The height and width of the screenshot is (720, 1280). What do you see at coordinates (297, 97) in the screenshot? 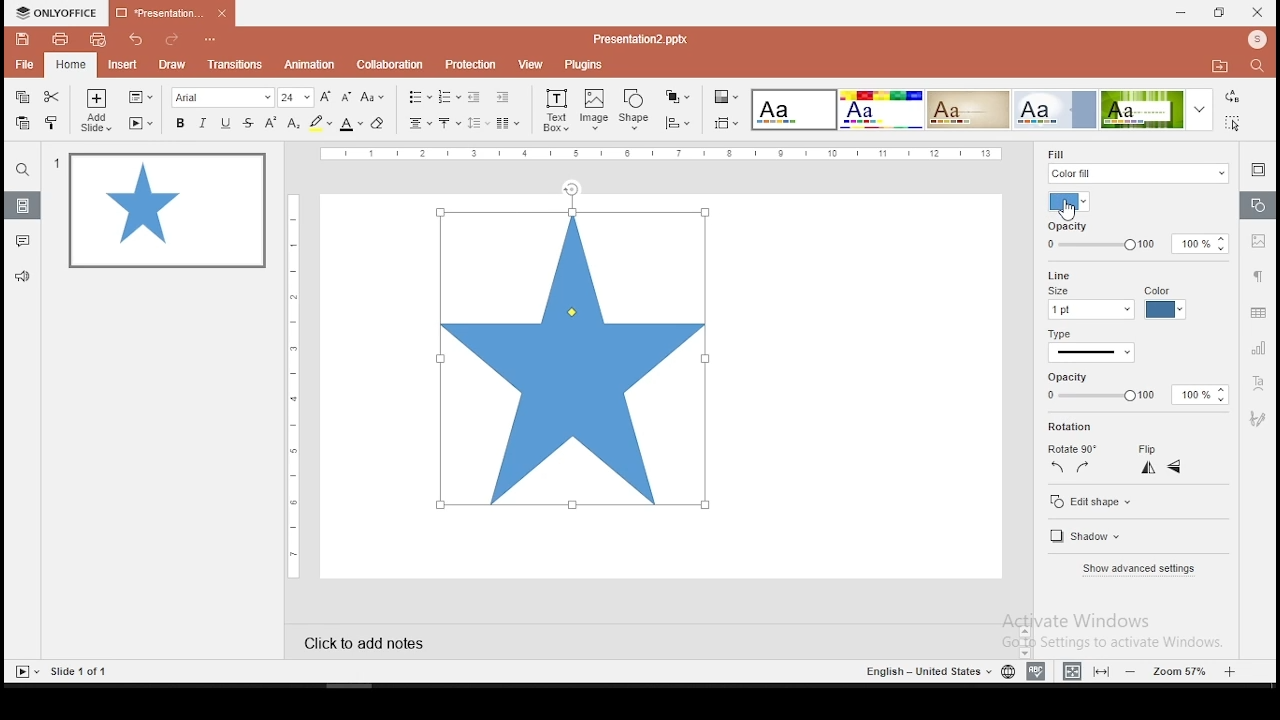
I see `font size` at bounding box center [297, 97].